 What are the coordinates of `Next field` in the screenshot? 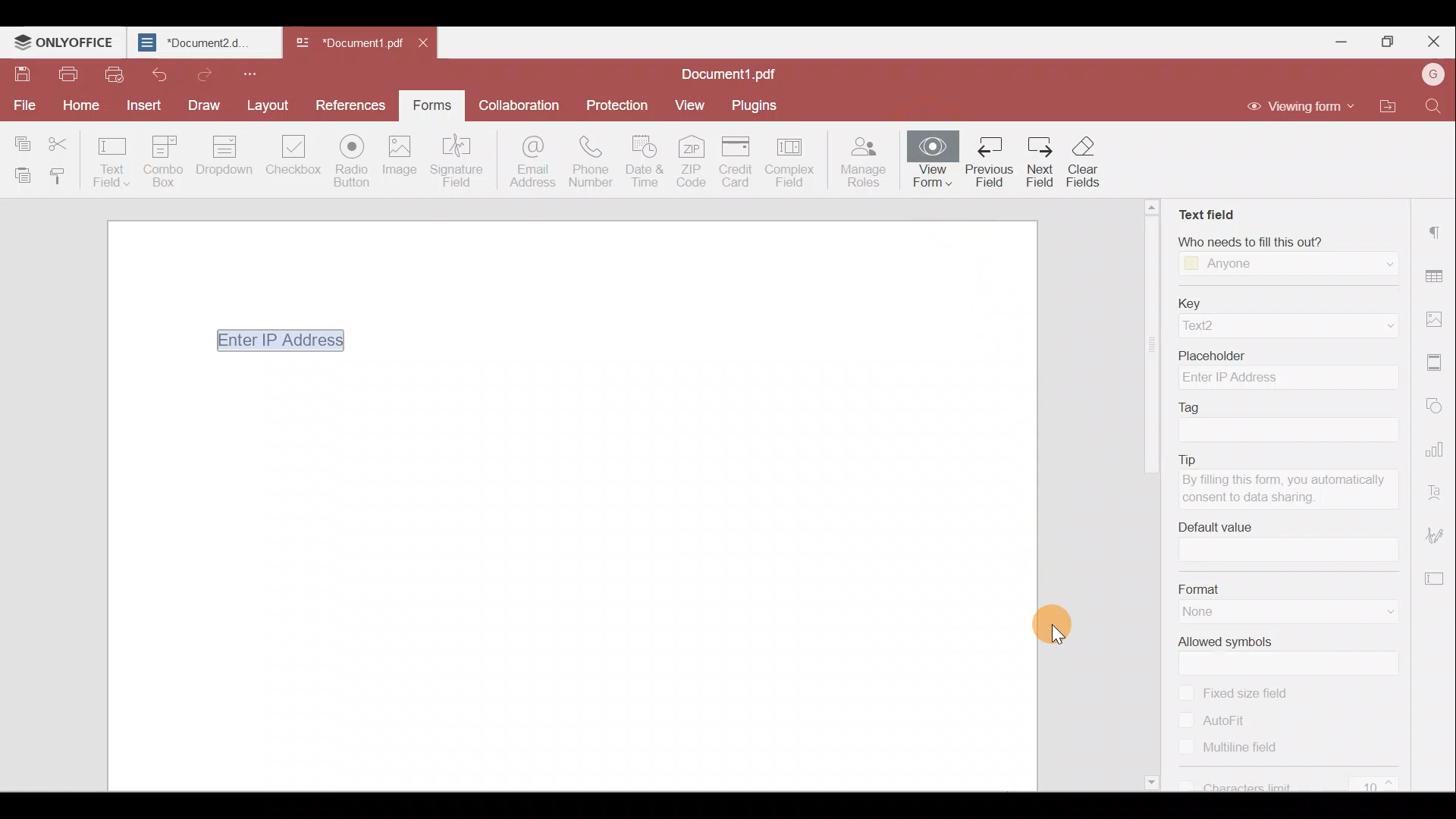 It's located at (1039, 165).